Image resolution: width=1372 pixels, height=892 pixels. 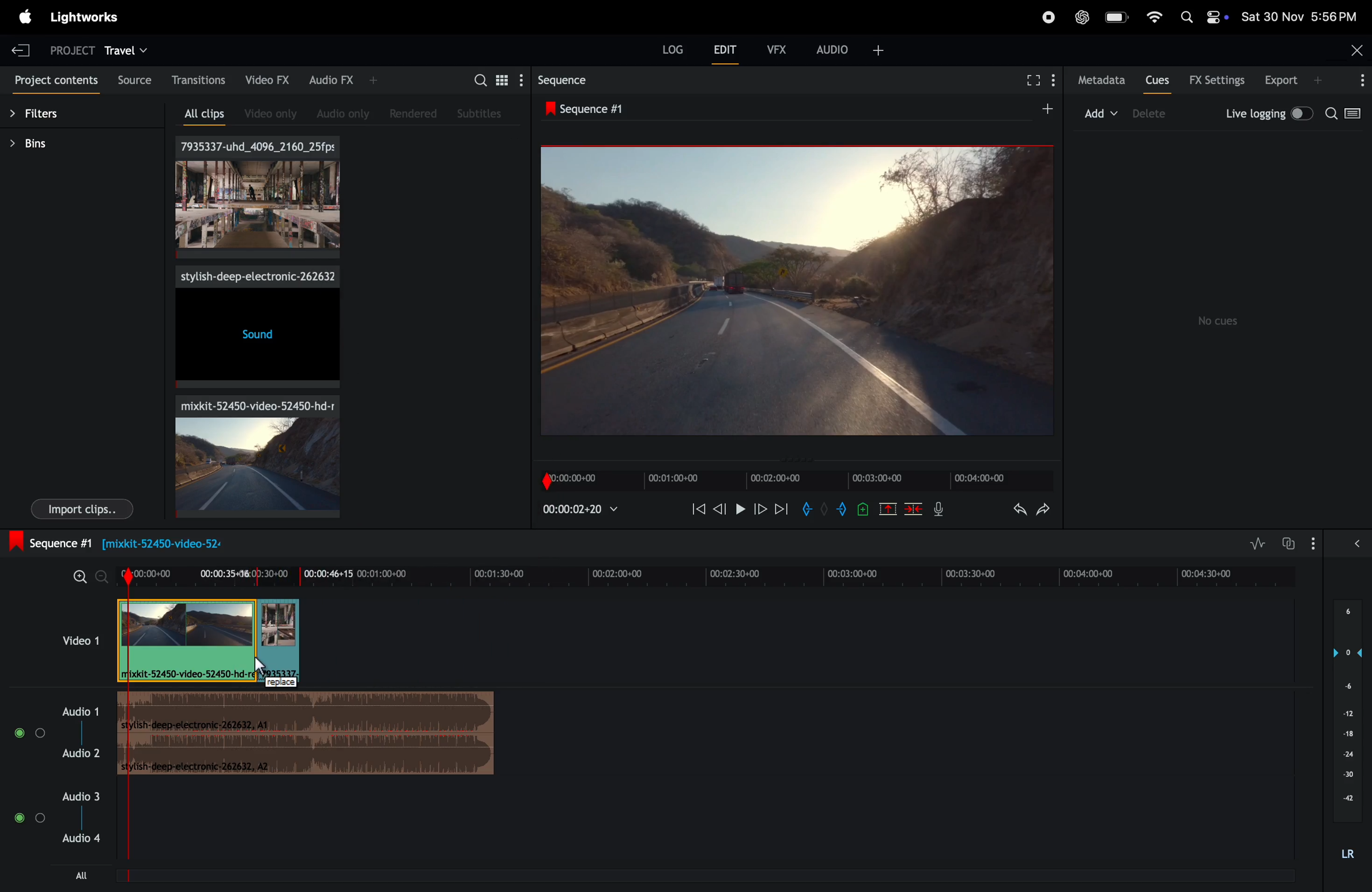 What do you see at coordinates (740, 510) in the screenshot?
I see `play` at bounding box center [740, 510].